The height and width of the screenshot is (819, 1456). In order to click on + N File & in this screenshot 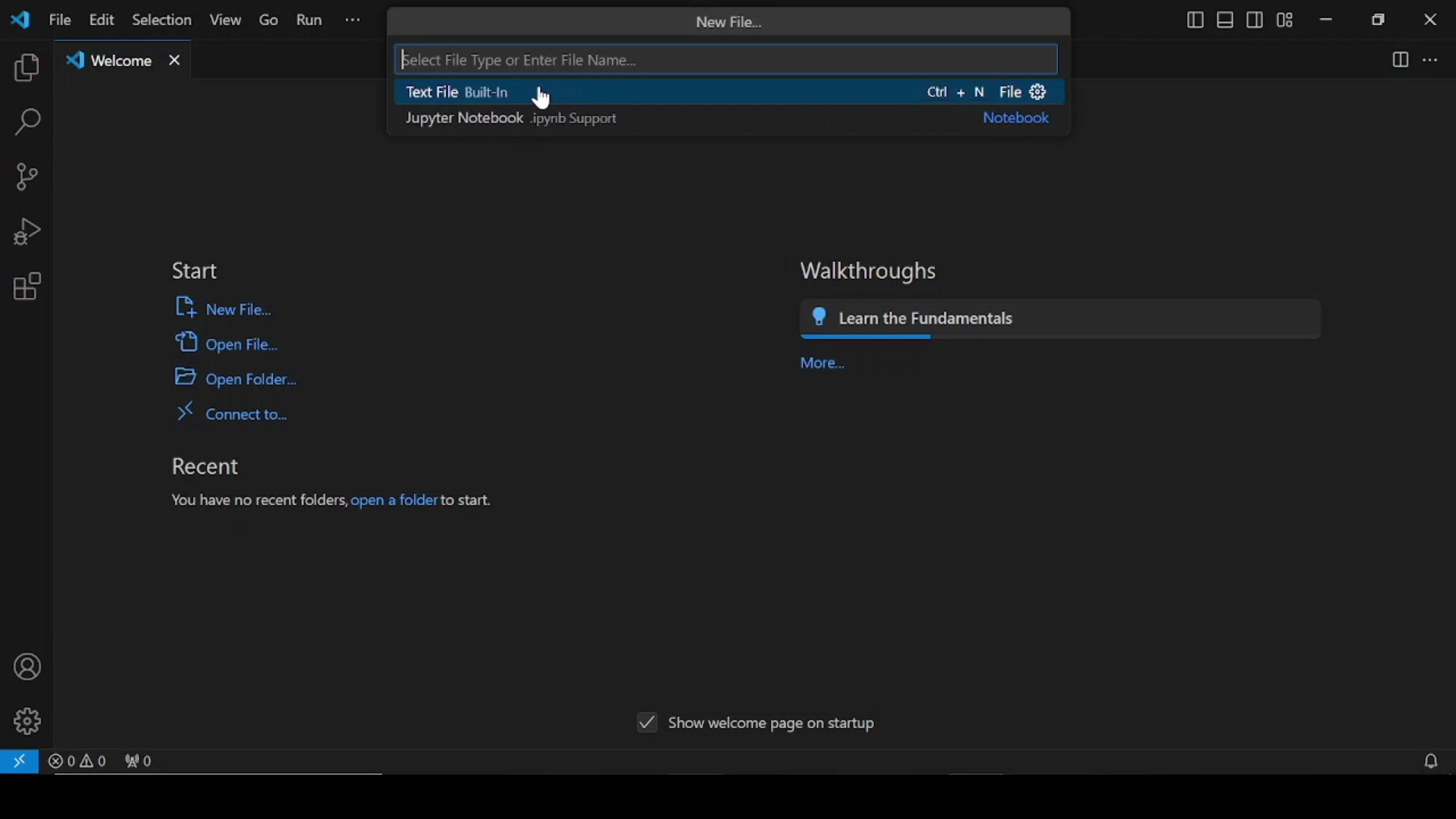, I will do `click(1010, 92)`.